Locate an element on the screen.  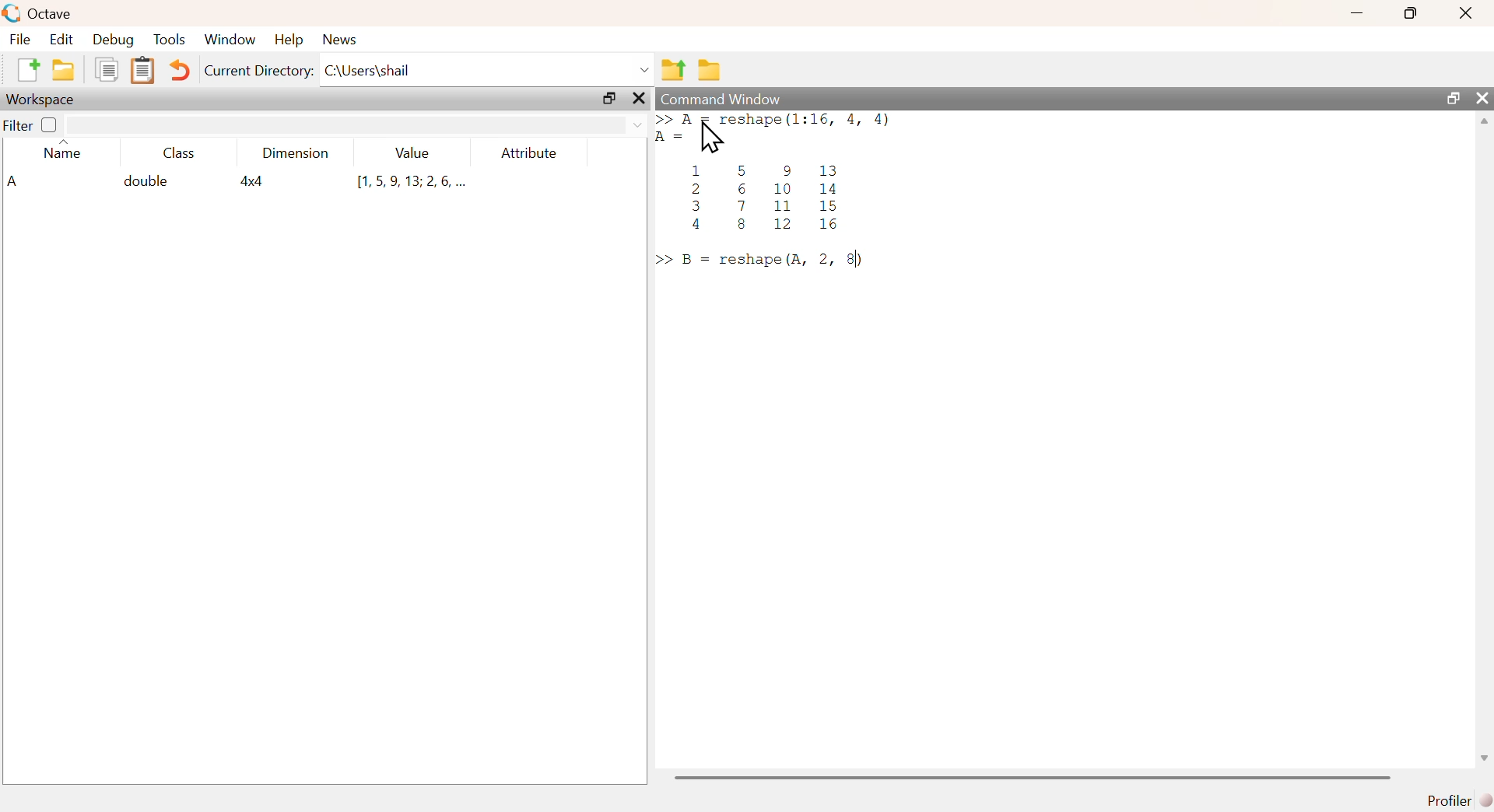
commands is located at coordinates (816, 193).